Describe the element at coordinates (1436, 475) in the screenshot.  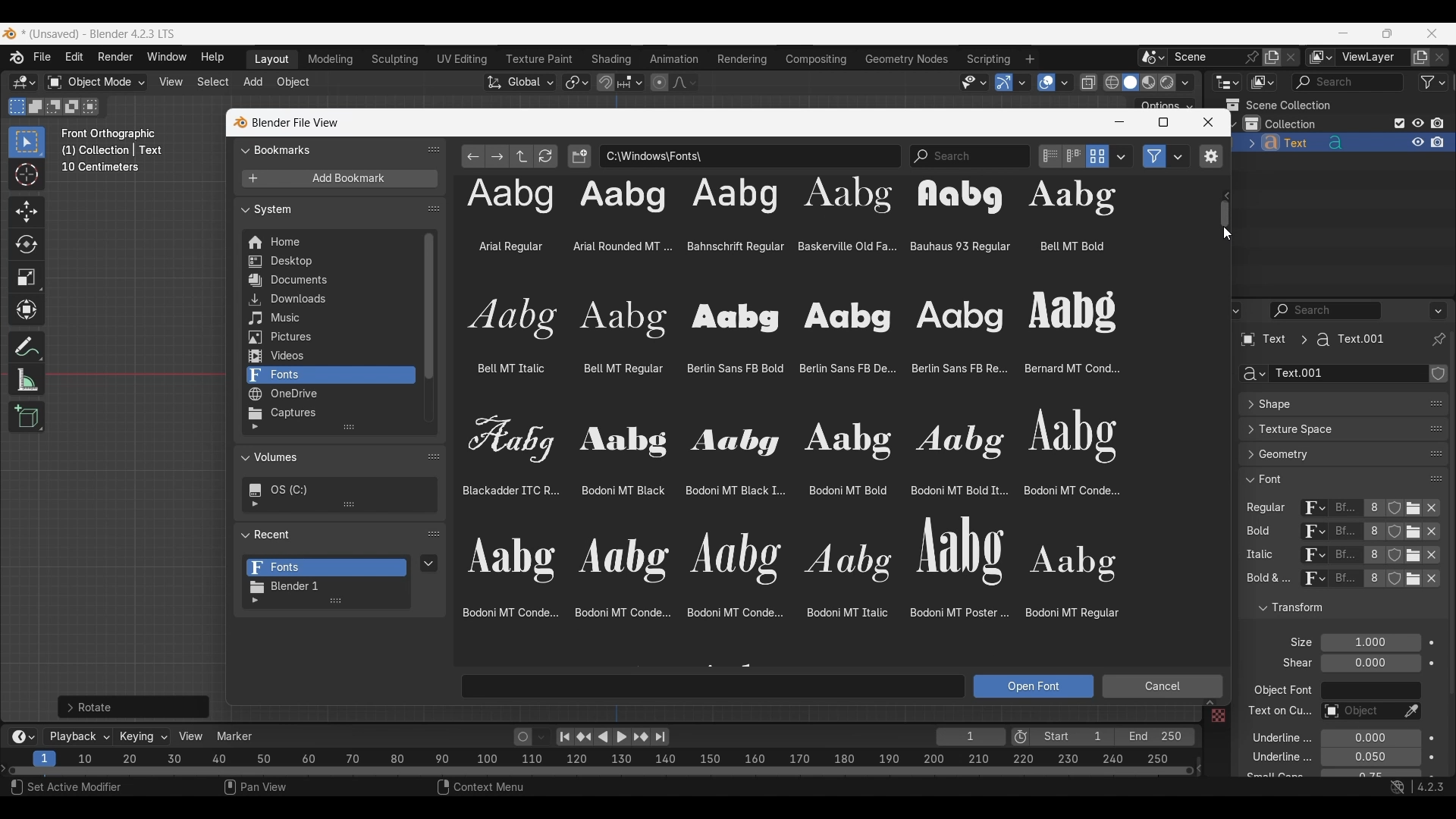
I see `Change position in the list ` at that location.